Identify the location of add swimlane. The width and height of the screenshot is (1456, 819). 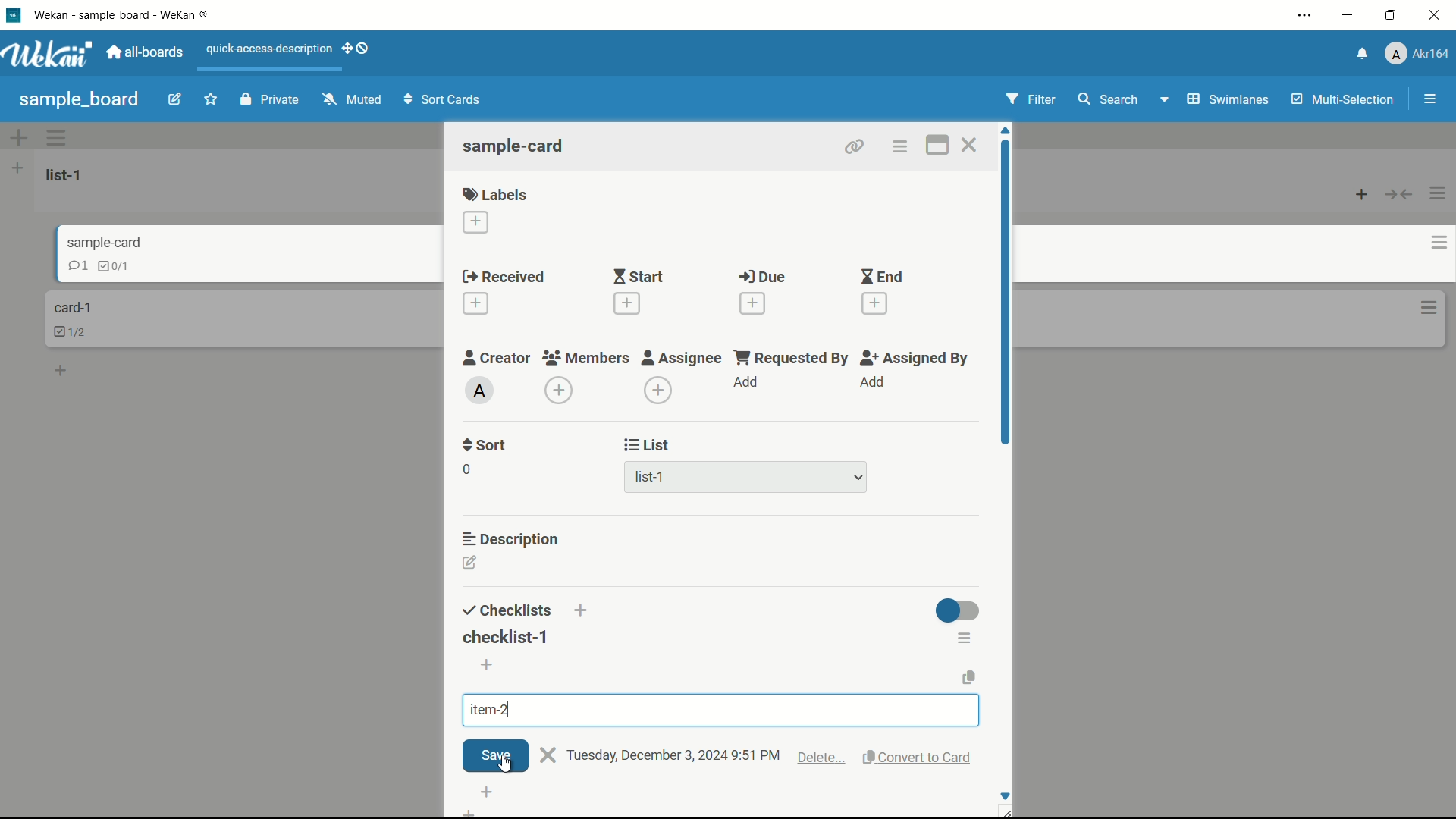
(19, 136).